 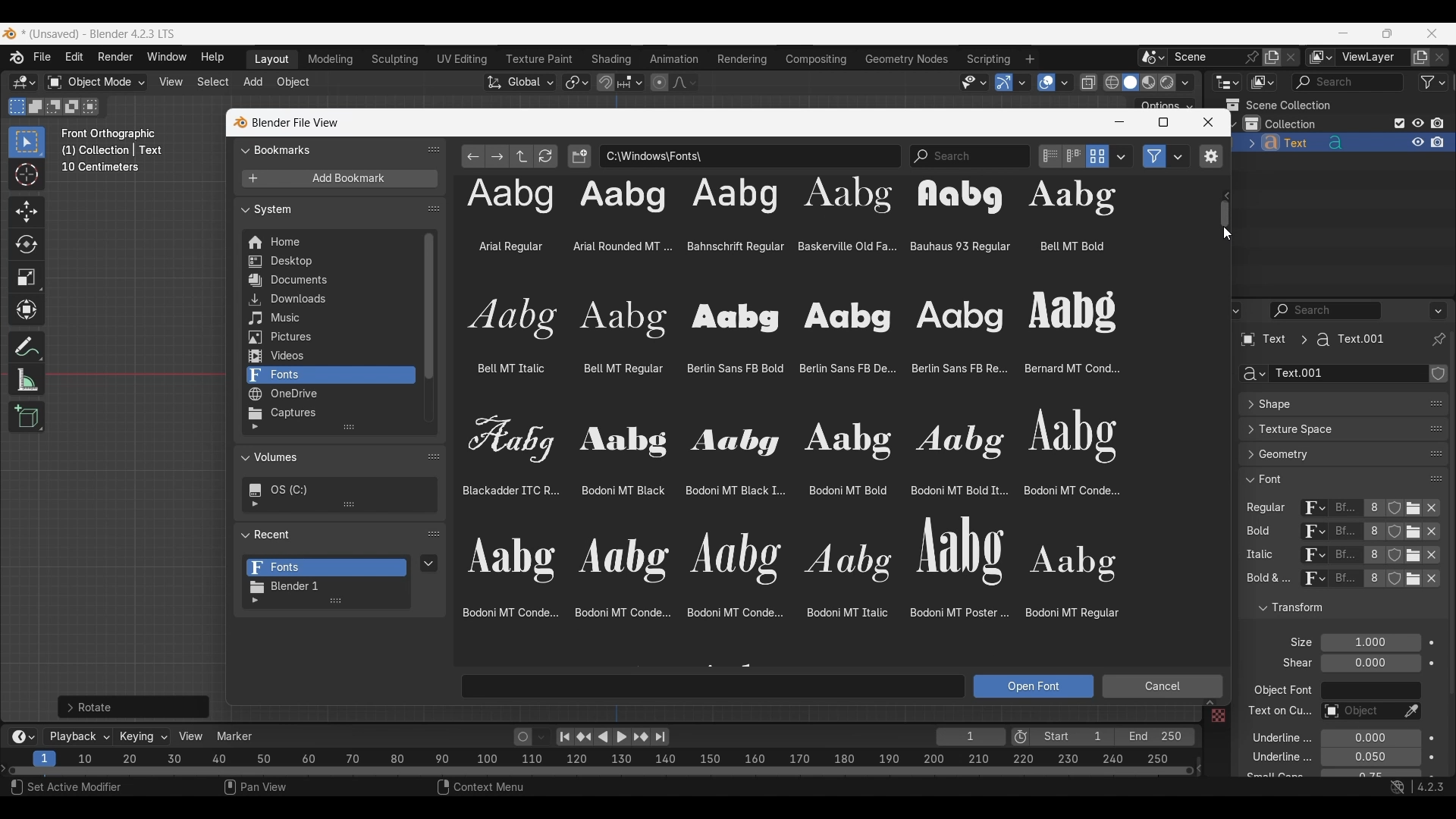 What do you see at coordinates (17, 58) in the screenshot?
I see `More about Blender` at bounding box center [17, 58].